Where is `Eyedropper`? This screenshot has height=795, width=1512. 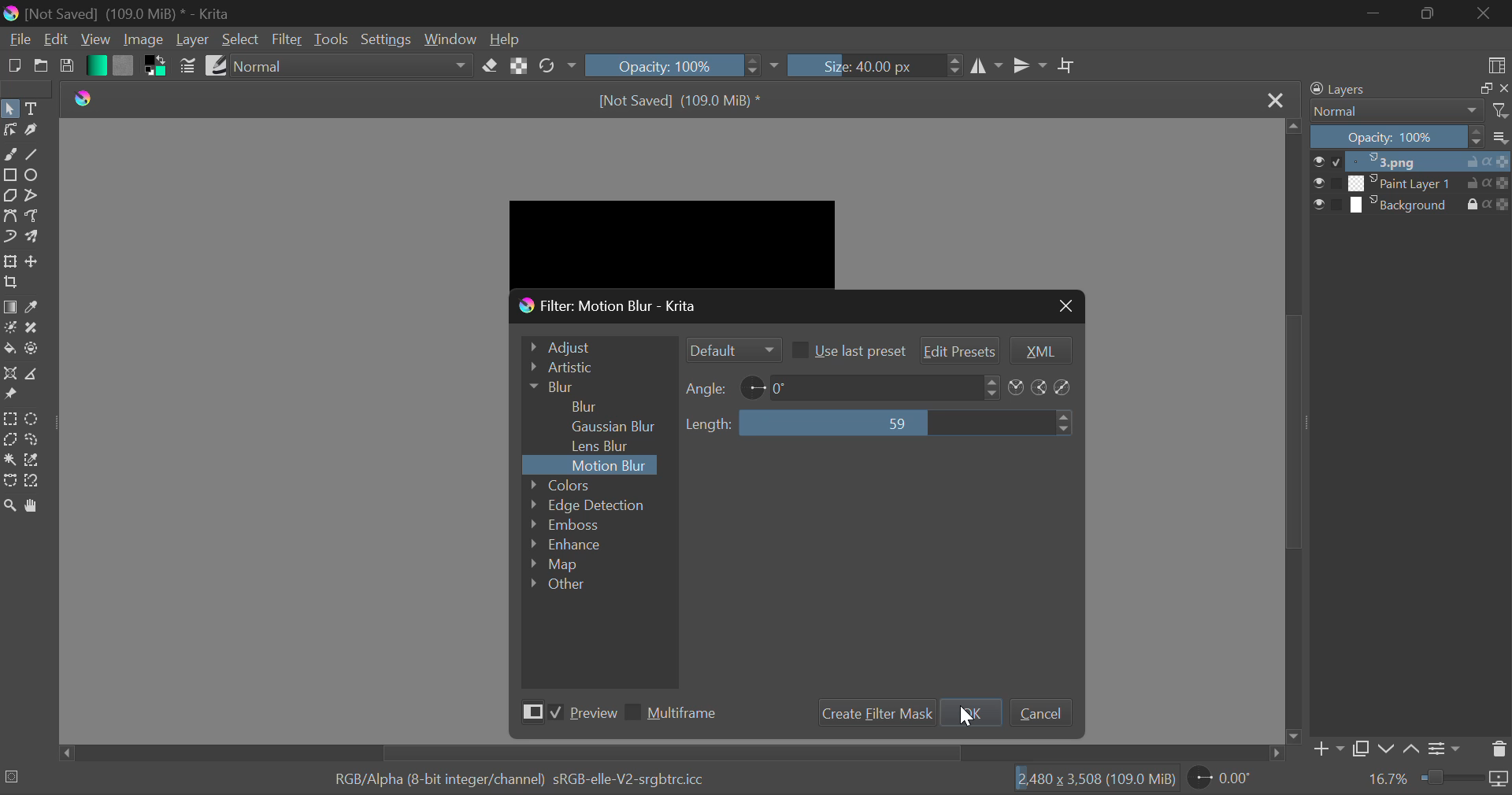
Eyedropper is located at coordinates (35, 307).